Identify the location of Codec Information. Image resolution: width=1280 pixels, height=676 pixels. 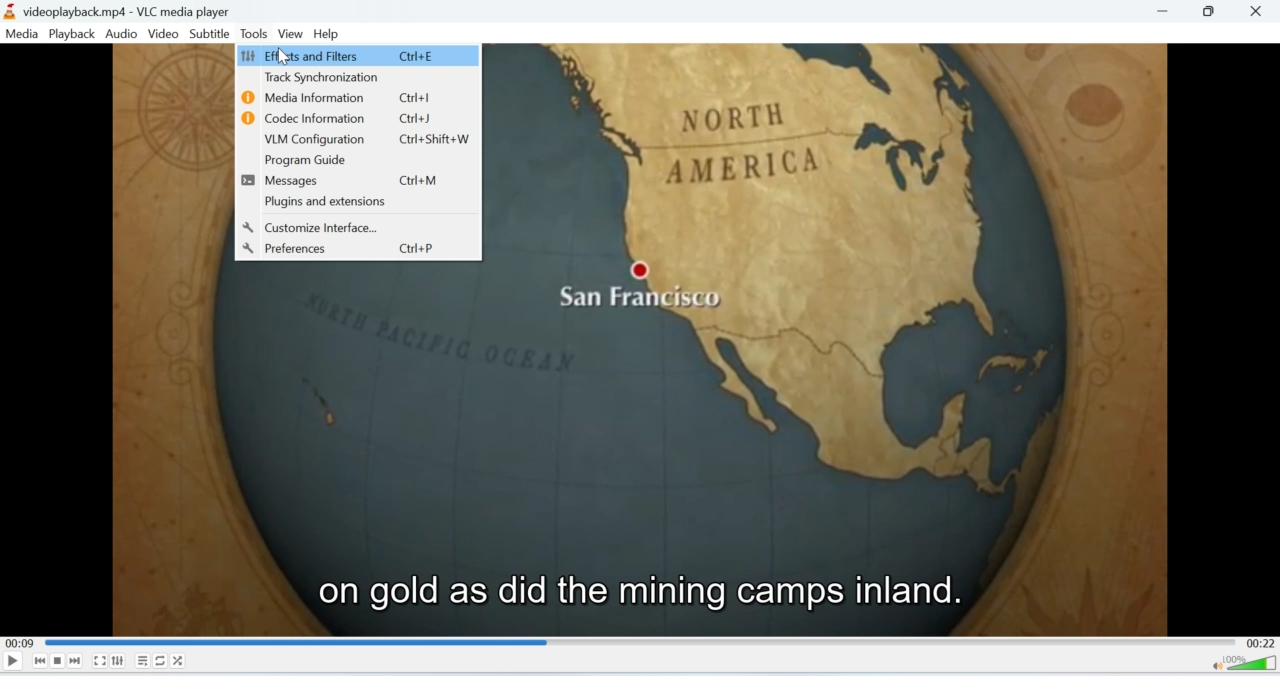
(305, 118).